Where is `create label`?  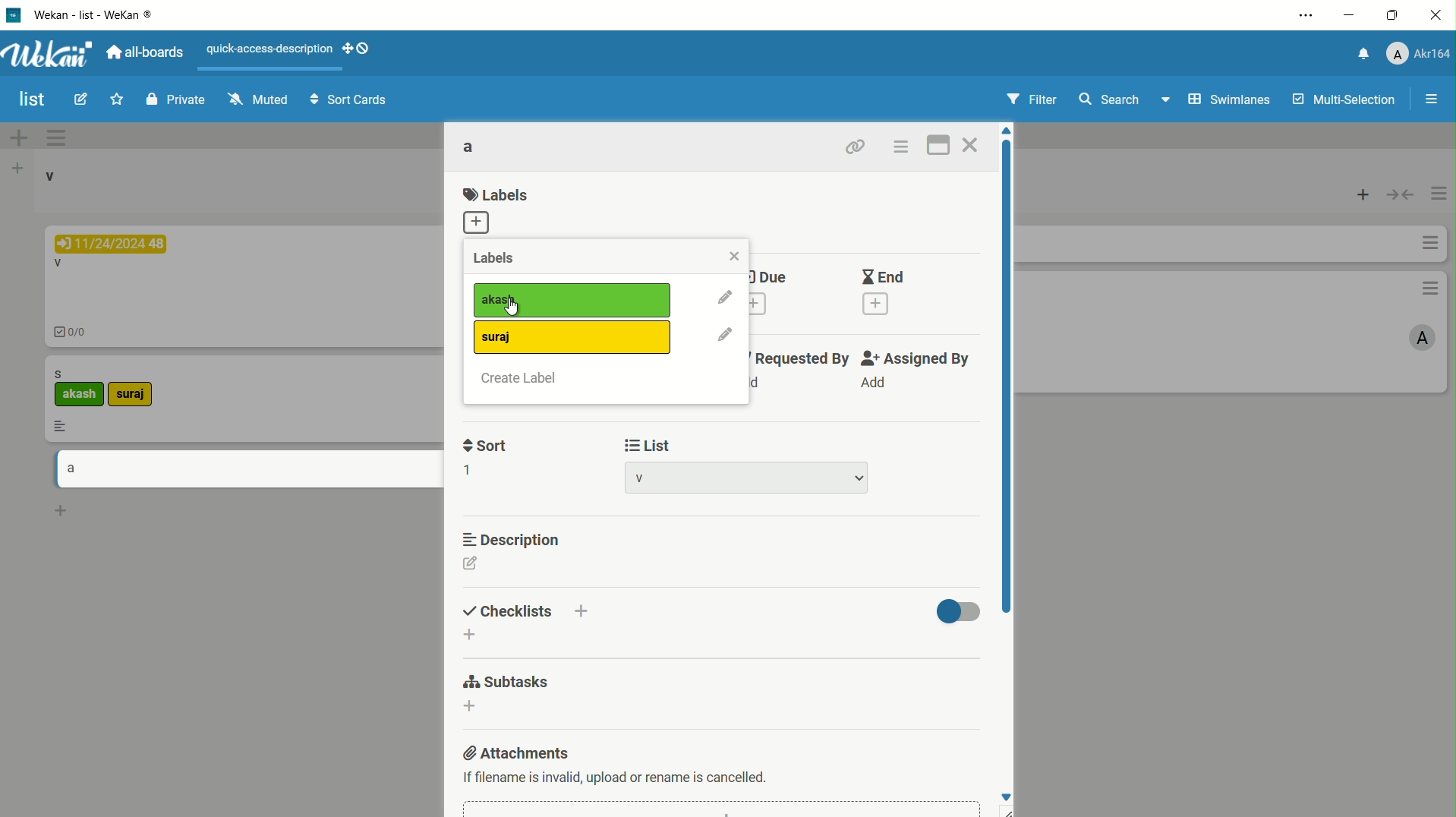 create label is located at coordinates (518, 377).